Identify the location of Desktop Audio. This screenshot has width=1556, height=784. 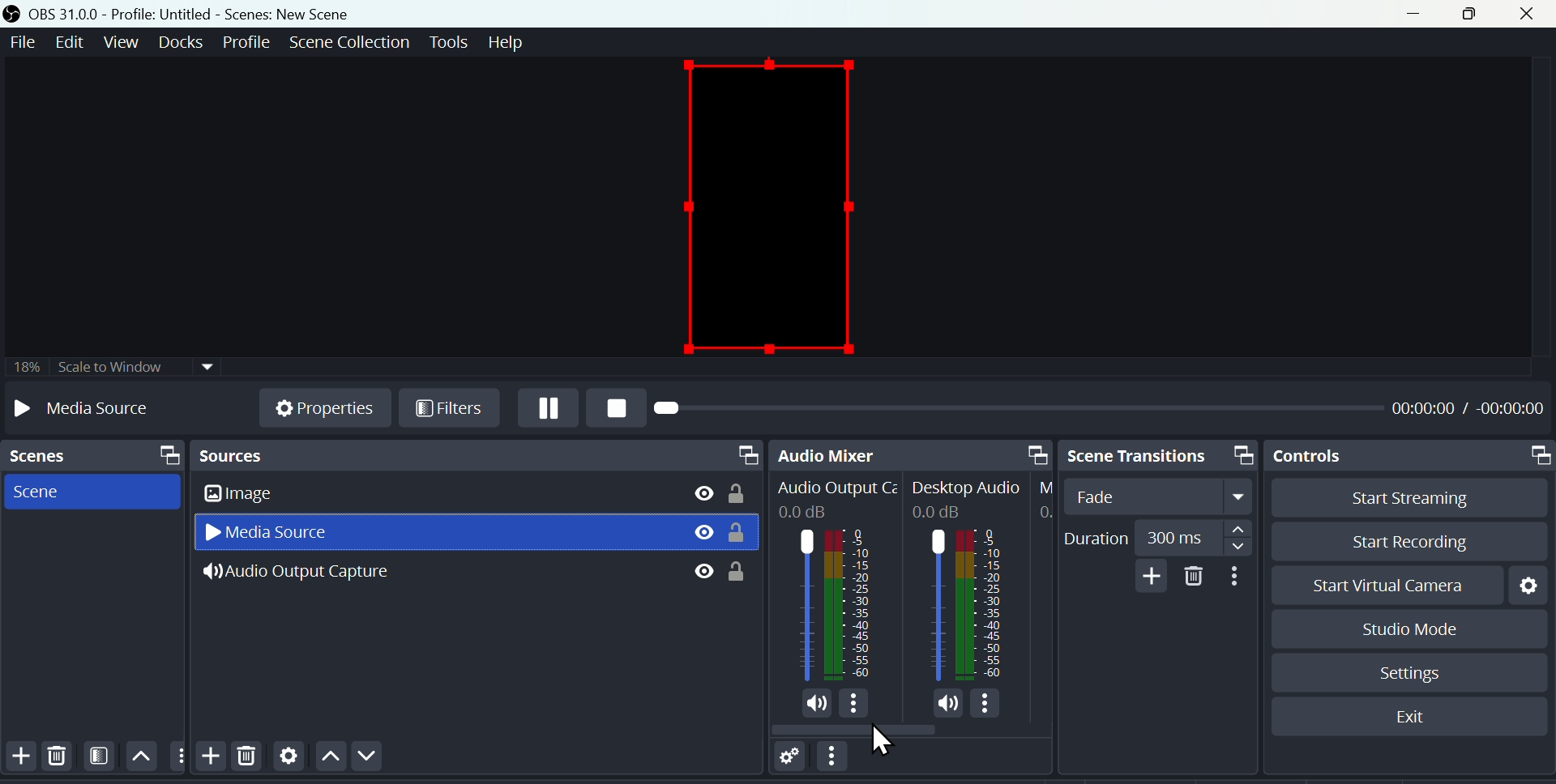
(967, 607).